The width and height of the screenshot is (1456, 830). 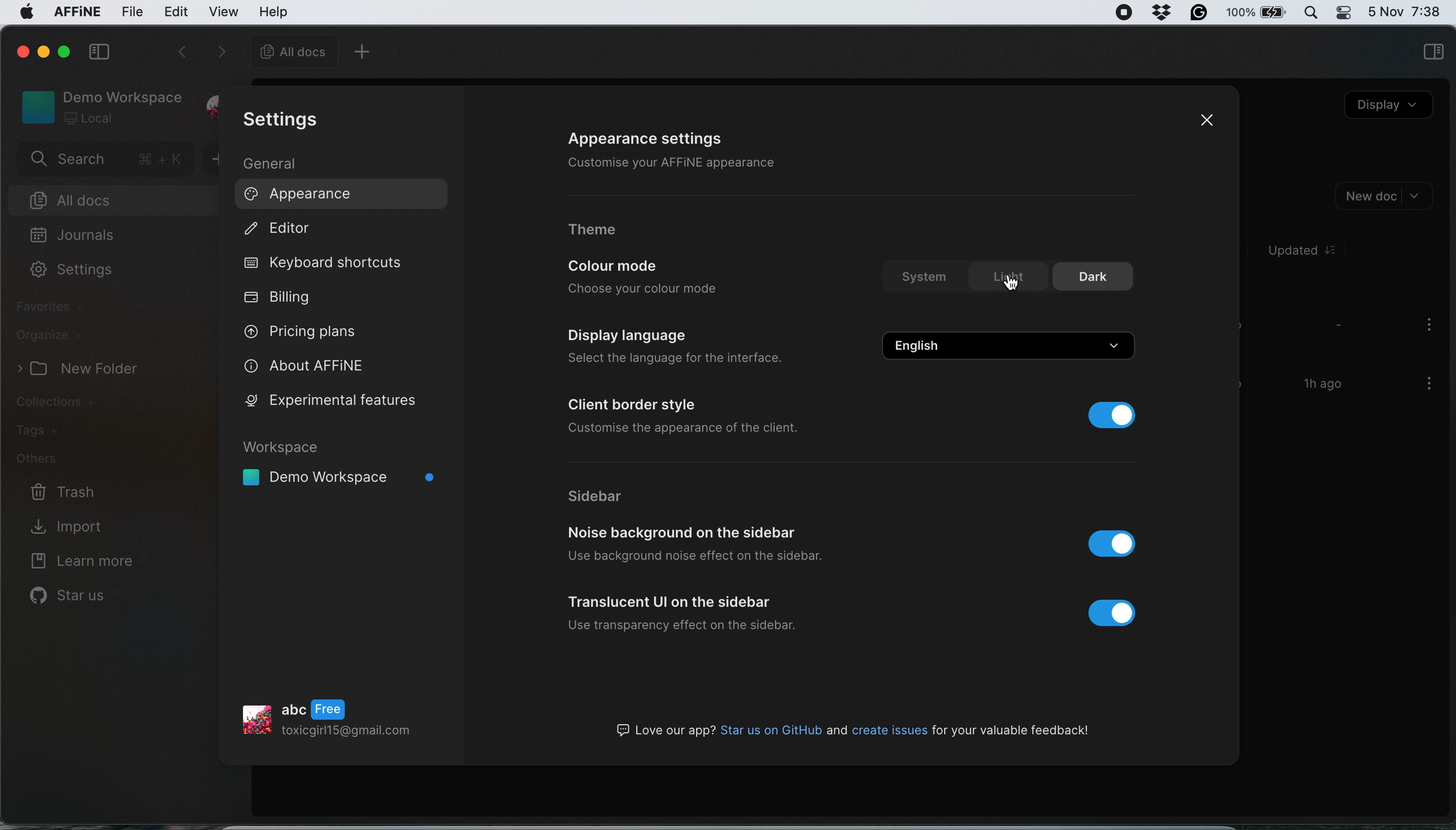 What do you see at coordinates (1389, 107) in the screenshot?
I see `display` at bounding box center [1389, 107].